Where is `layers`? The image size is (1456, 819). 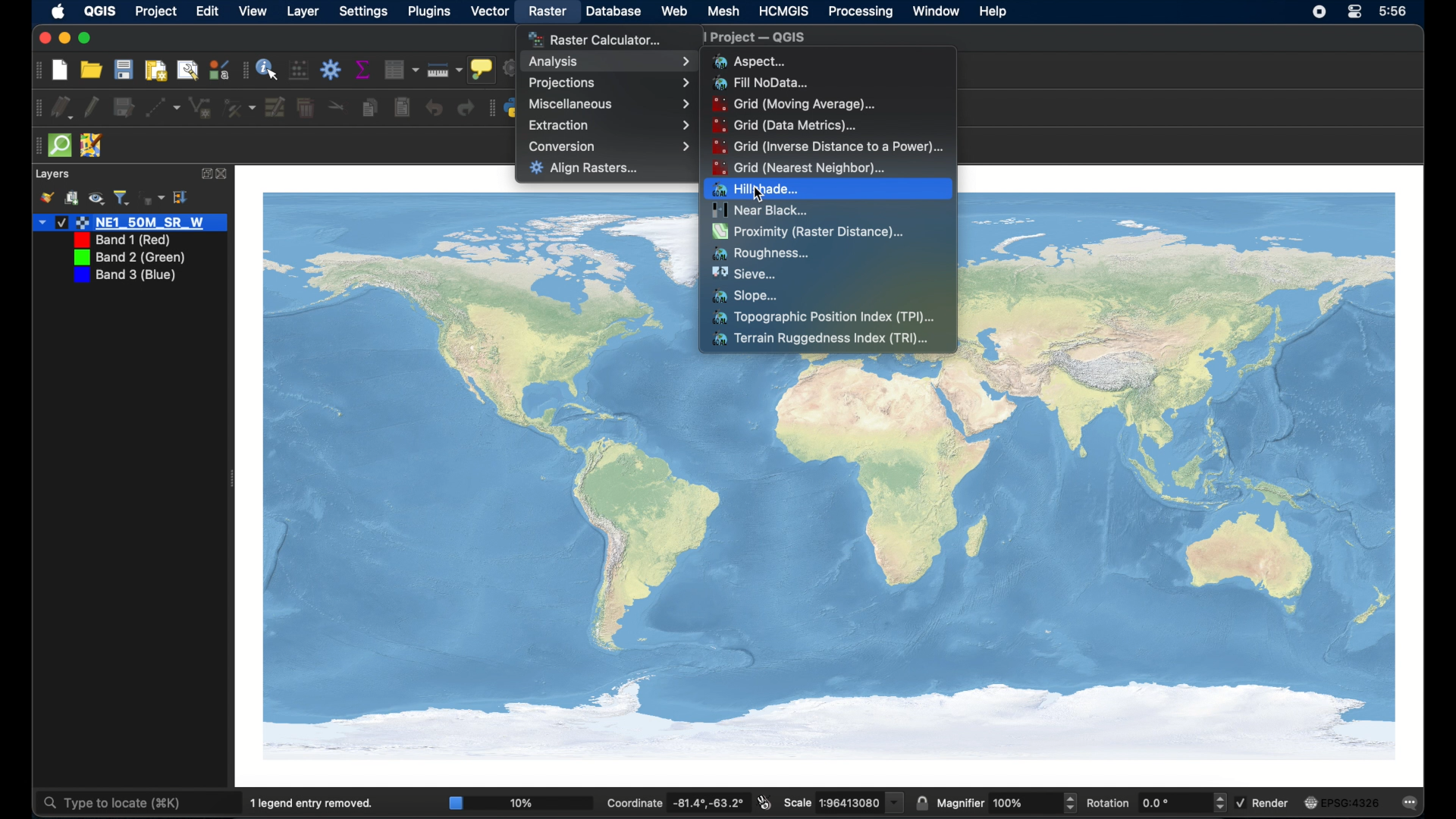 layers is located at coordinates (52, 174).